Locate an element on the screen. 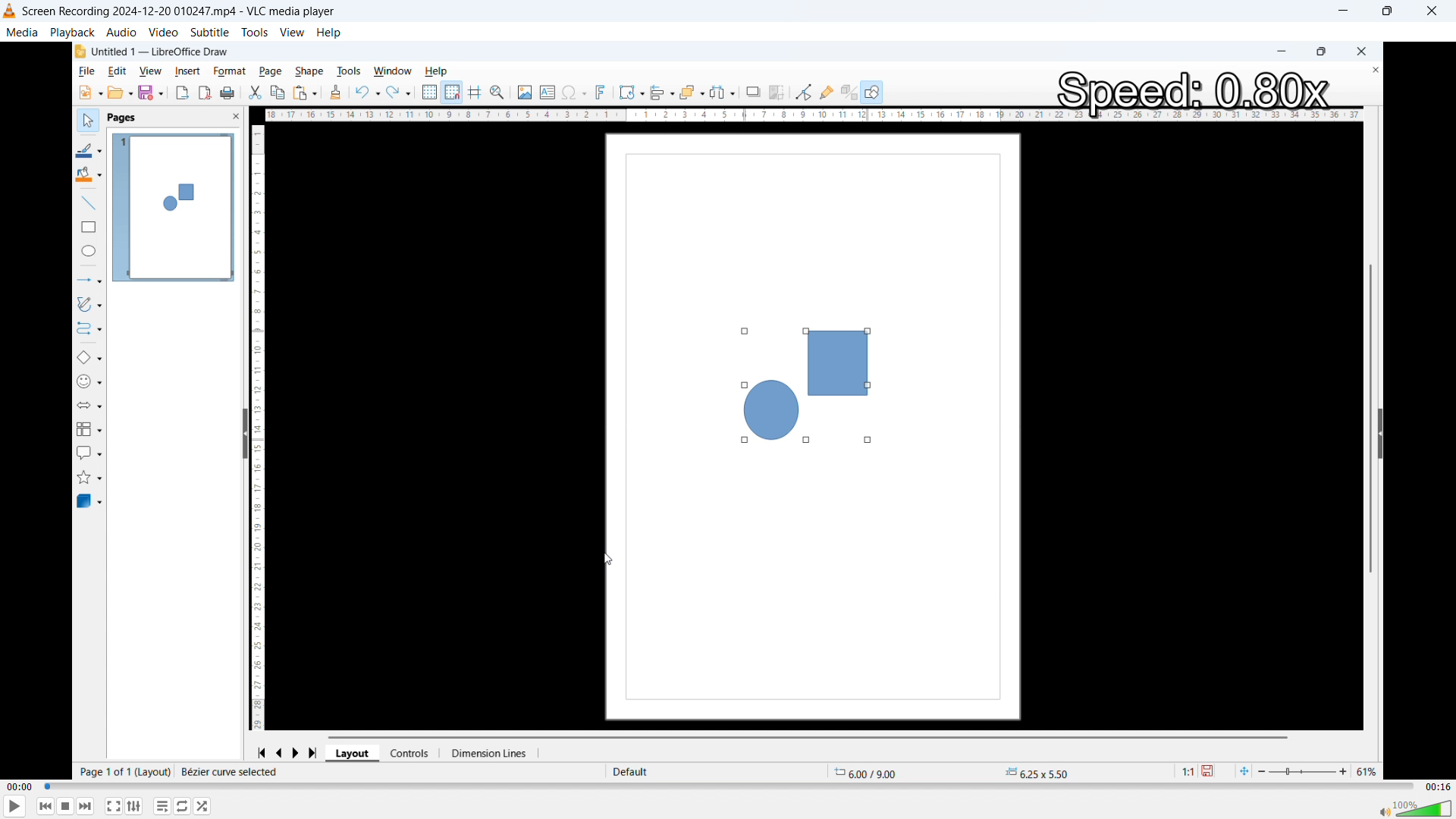  Sound bar is located at coordinates (1415, 808).